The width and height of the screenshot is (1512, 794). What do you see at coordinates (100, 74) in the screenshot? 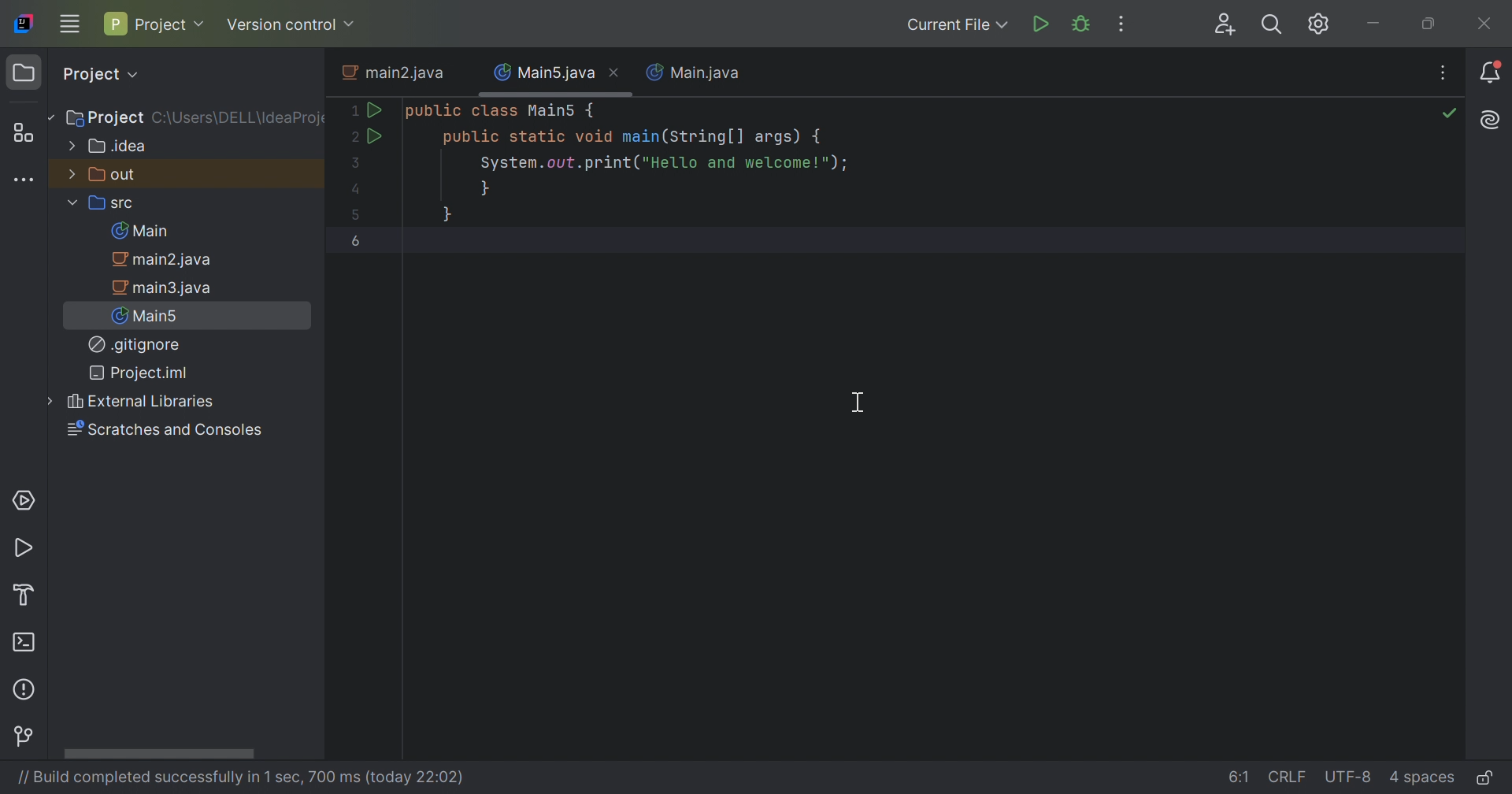
I see `Project` at bounding box center [100, 74].